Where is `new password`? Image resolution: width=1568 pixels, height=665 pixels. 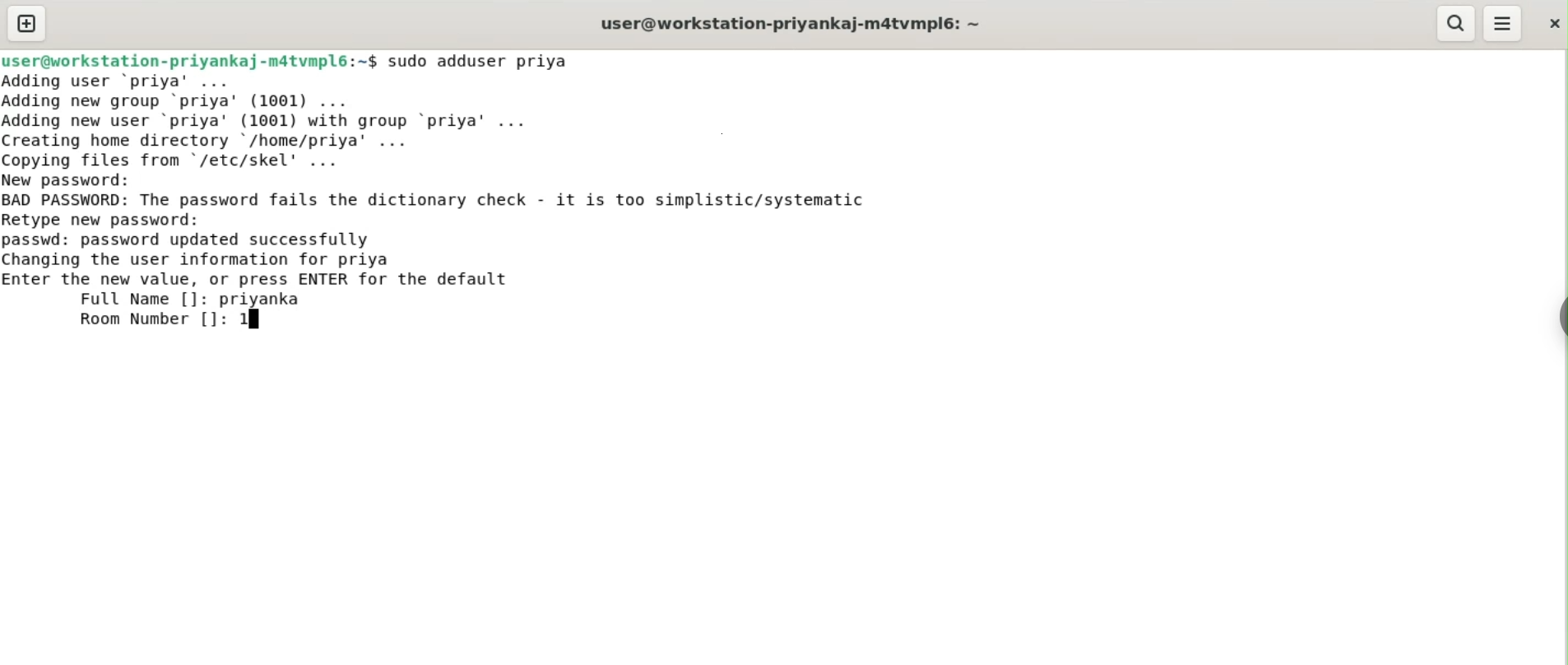 new password is located at coordinates (79, 179).